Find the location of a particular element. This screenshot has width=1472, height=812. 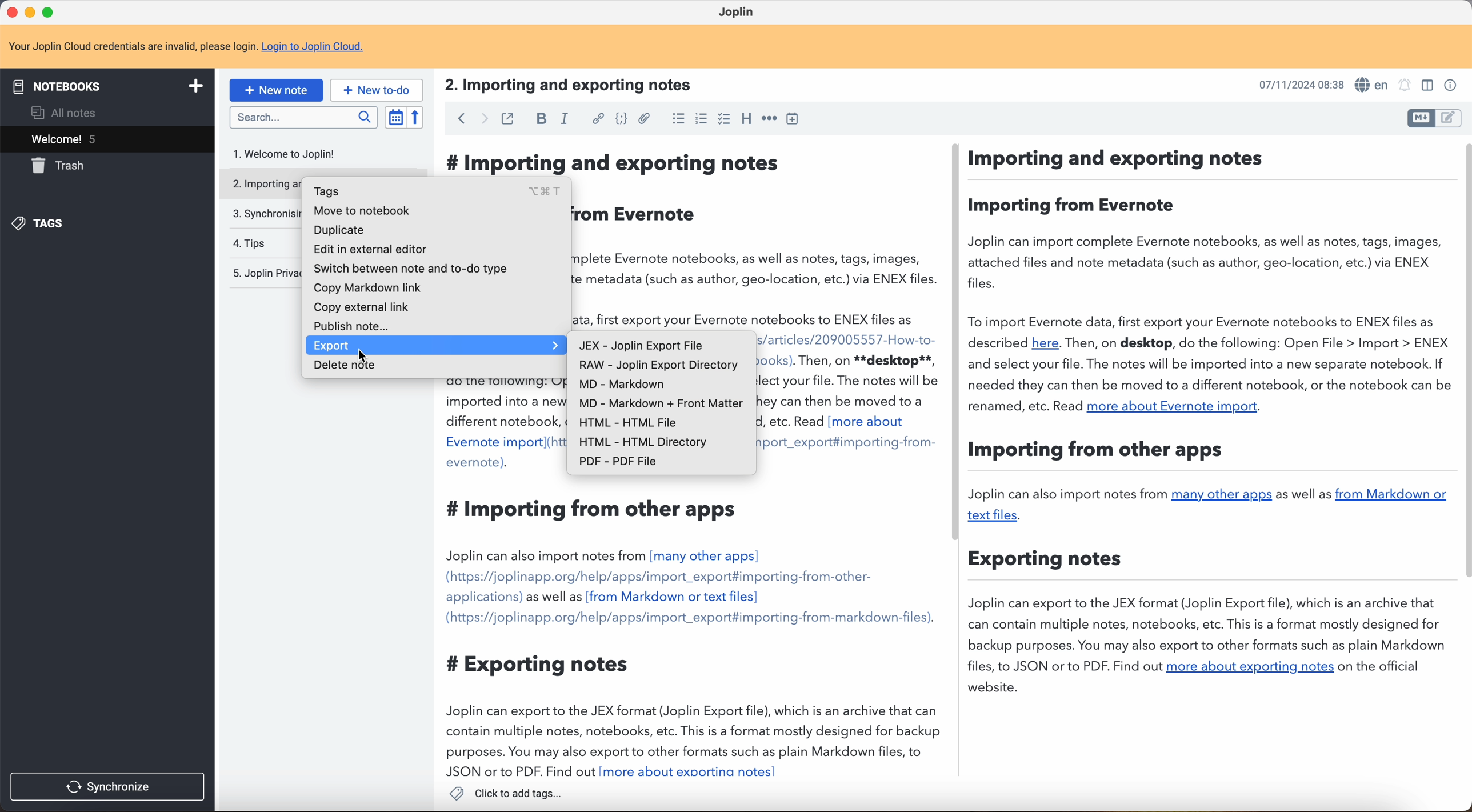

all notes is located at coordinates (61, 113).